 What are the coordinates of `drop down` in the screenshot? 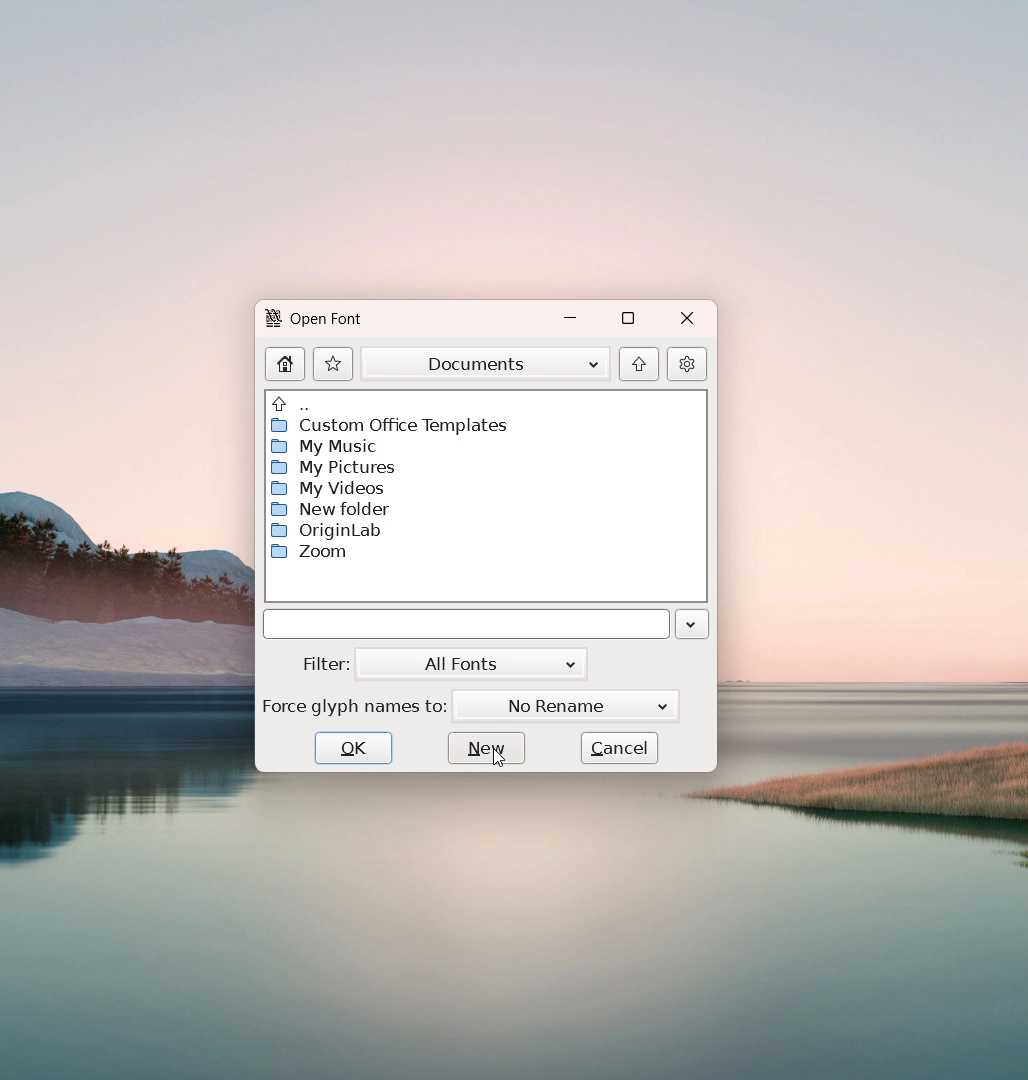 It's located at (692, 625).